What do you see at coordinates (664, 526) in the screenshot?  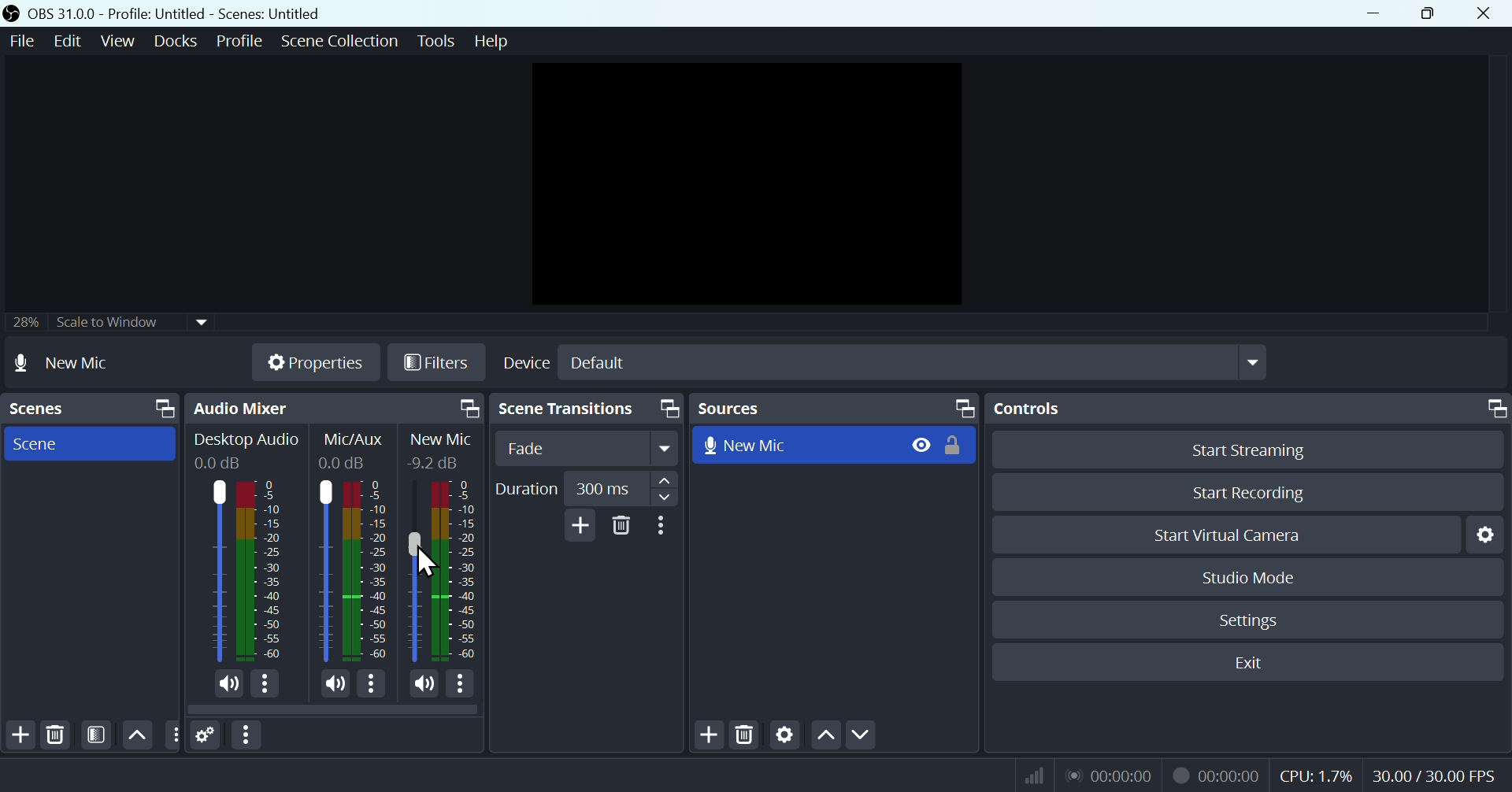 I see `More options` at bounding box center [664, 526].